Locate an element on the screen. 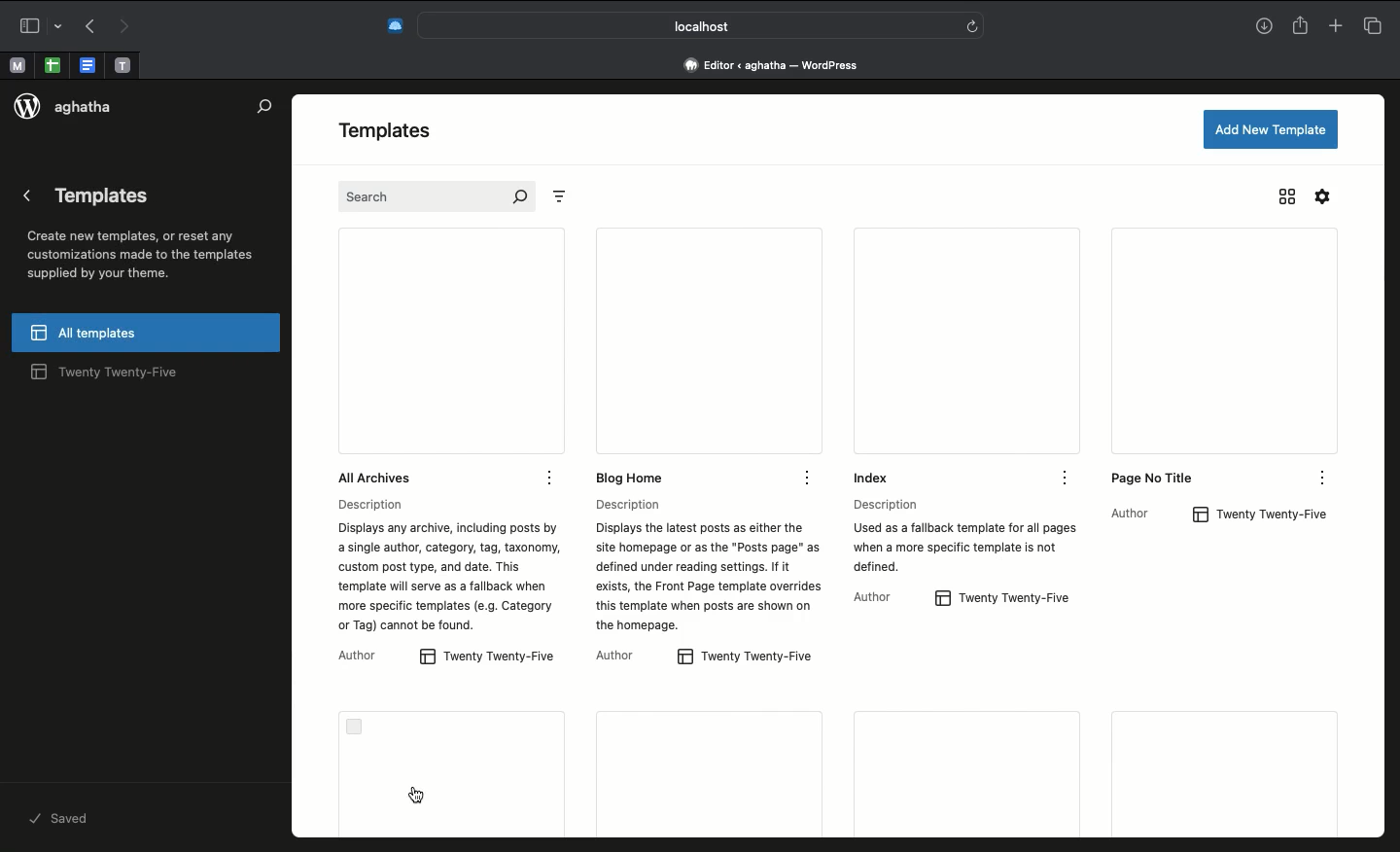 This screenshot has width=1400, height=852. open tab, google docs is located at coordinates (86, 66).